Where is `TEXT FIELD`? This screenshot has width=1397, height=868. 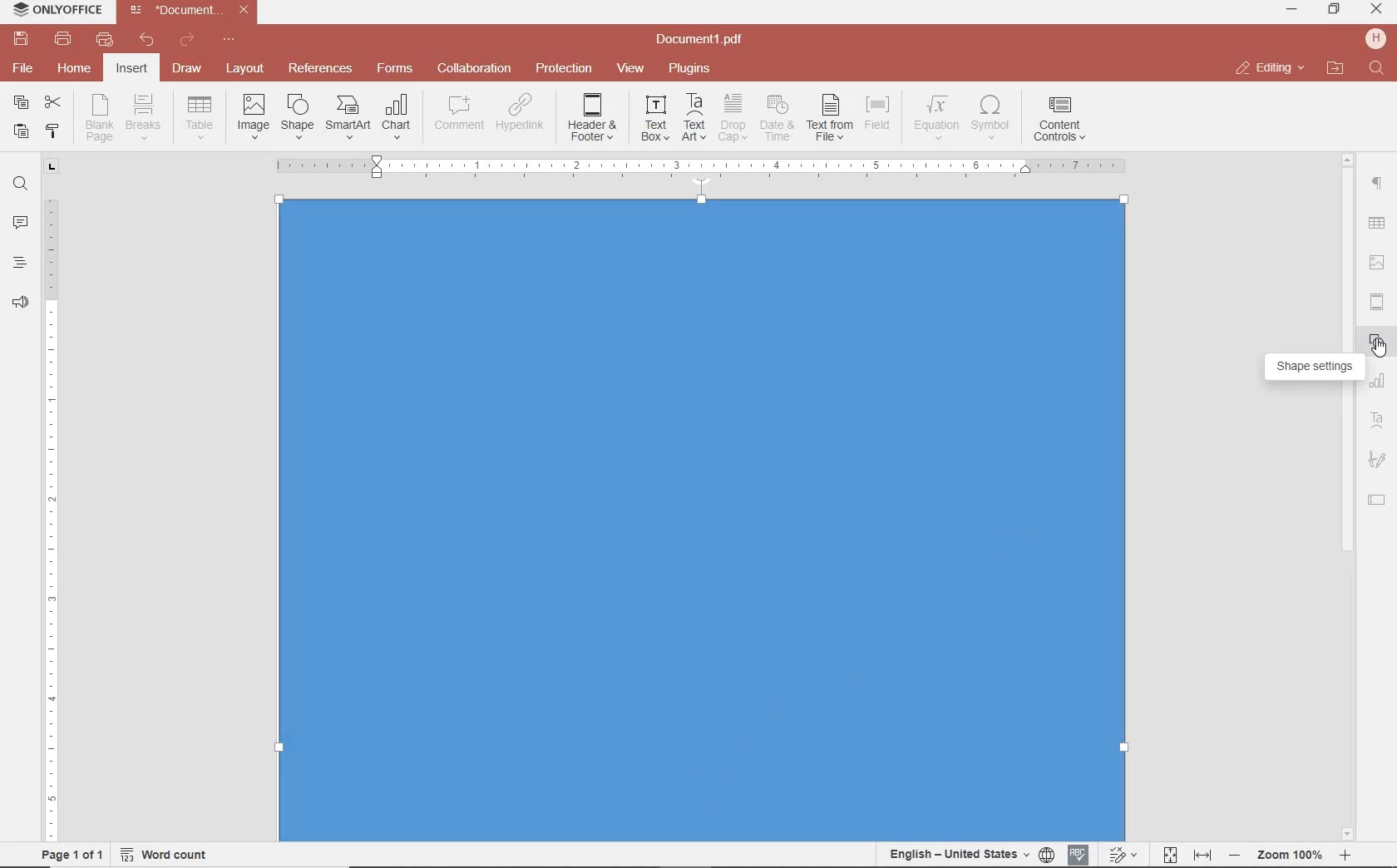 TEXT FIELD is located at coordinates (1377, 499).